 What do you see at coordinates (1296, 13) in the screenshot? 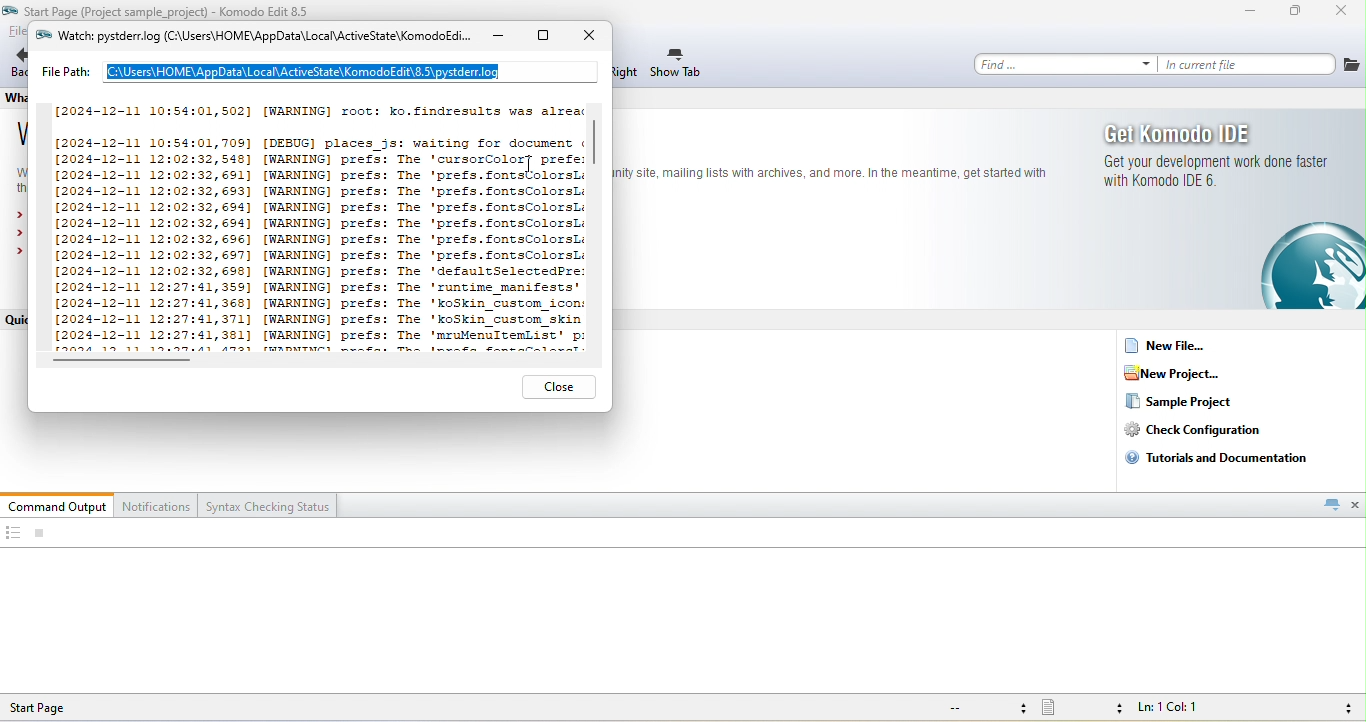
I see `maximize` at bounding box center [1296, 13].